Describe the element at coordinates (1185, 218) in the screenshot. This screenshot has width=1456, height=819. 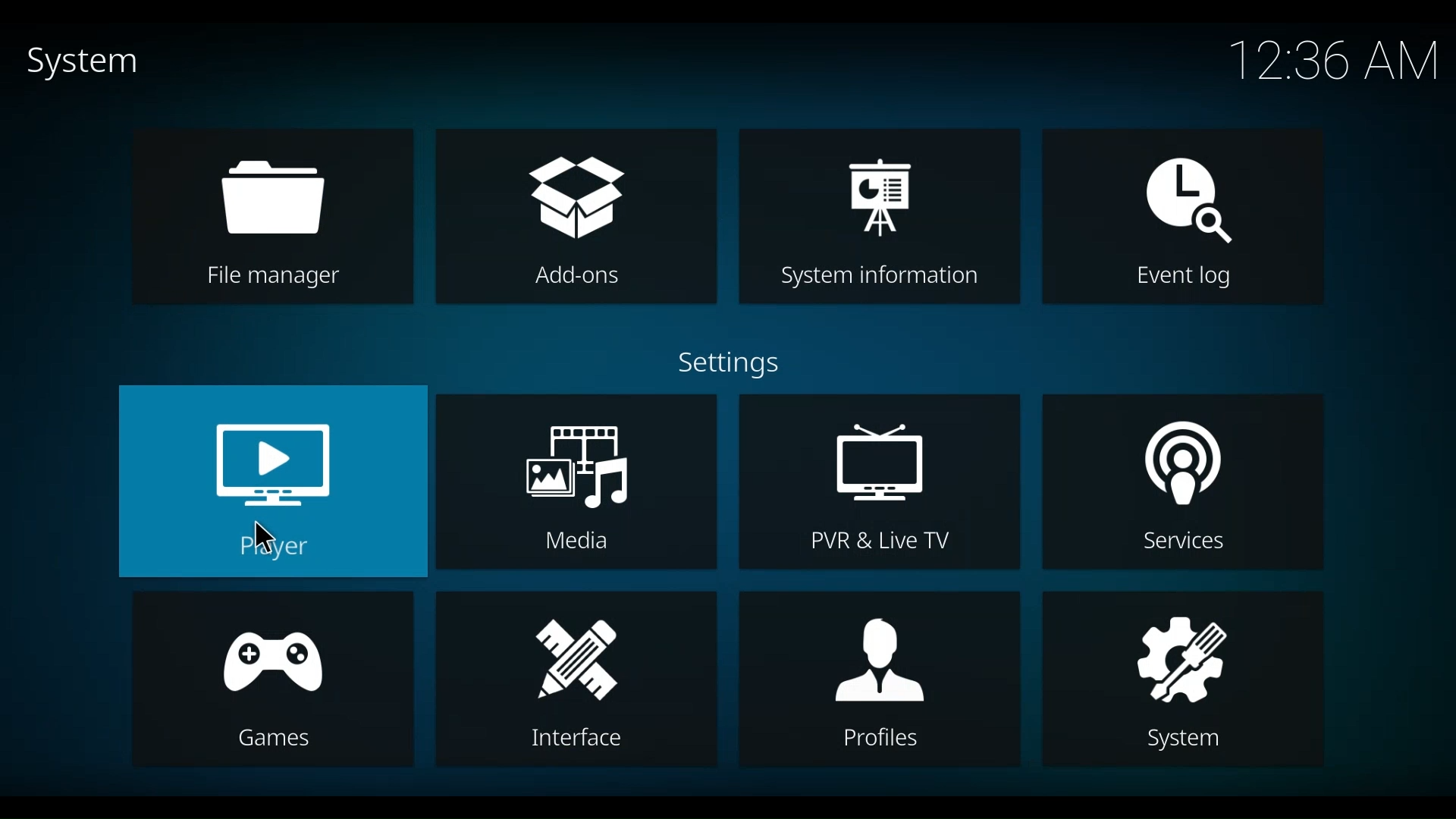
I see `Event log` at that location.